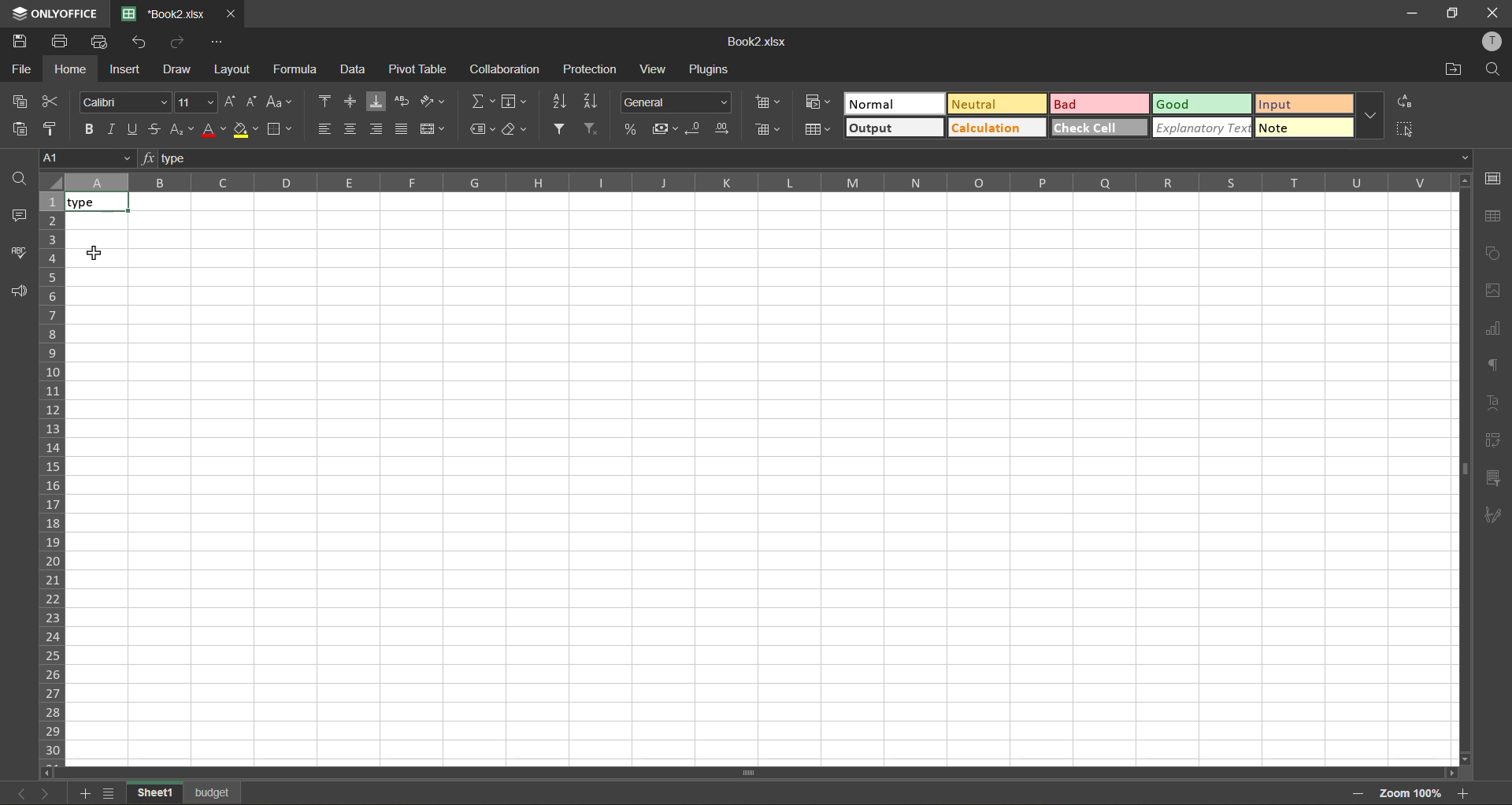  What do you see at coordinates (184, 127) in the screenshot?
I see `sub/superscript` at bounding box center [184, 127].